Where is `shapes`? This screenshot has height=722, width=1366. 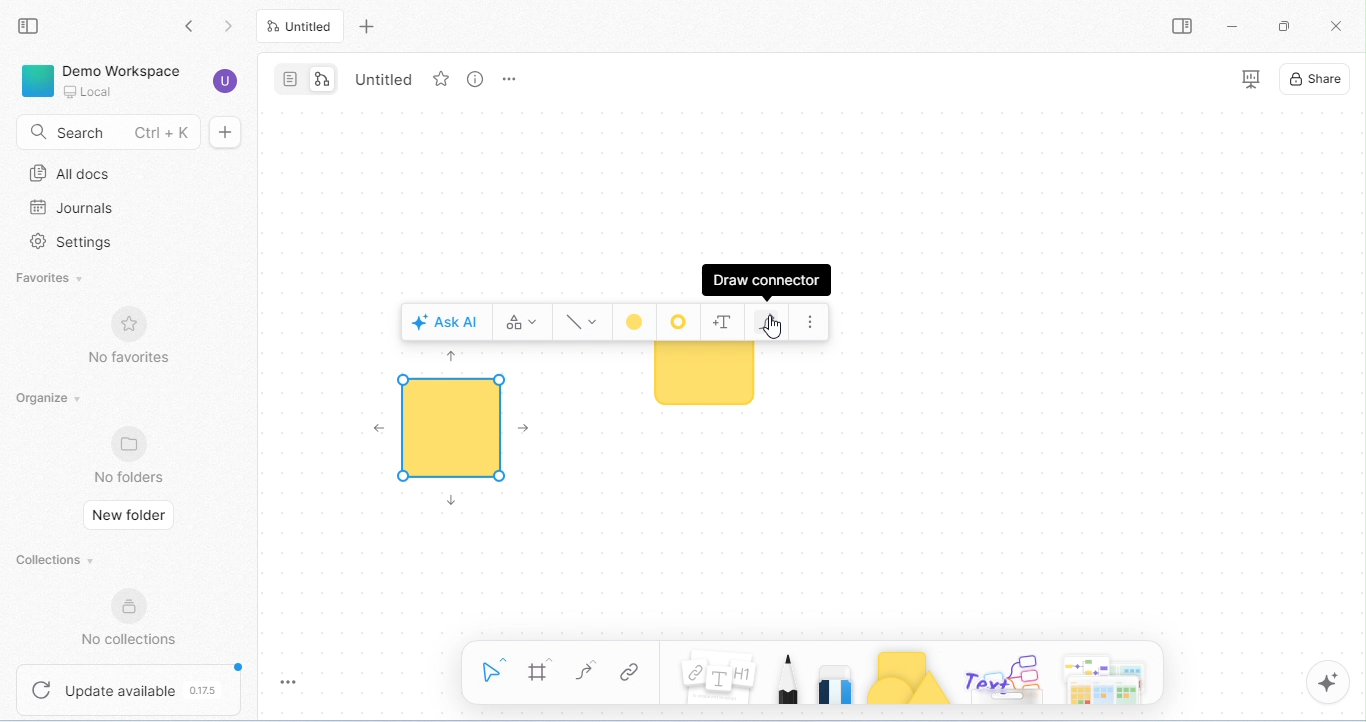 shapes is located at coordinates (910, 677).